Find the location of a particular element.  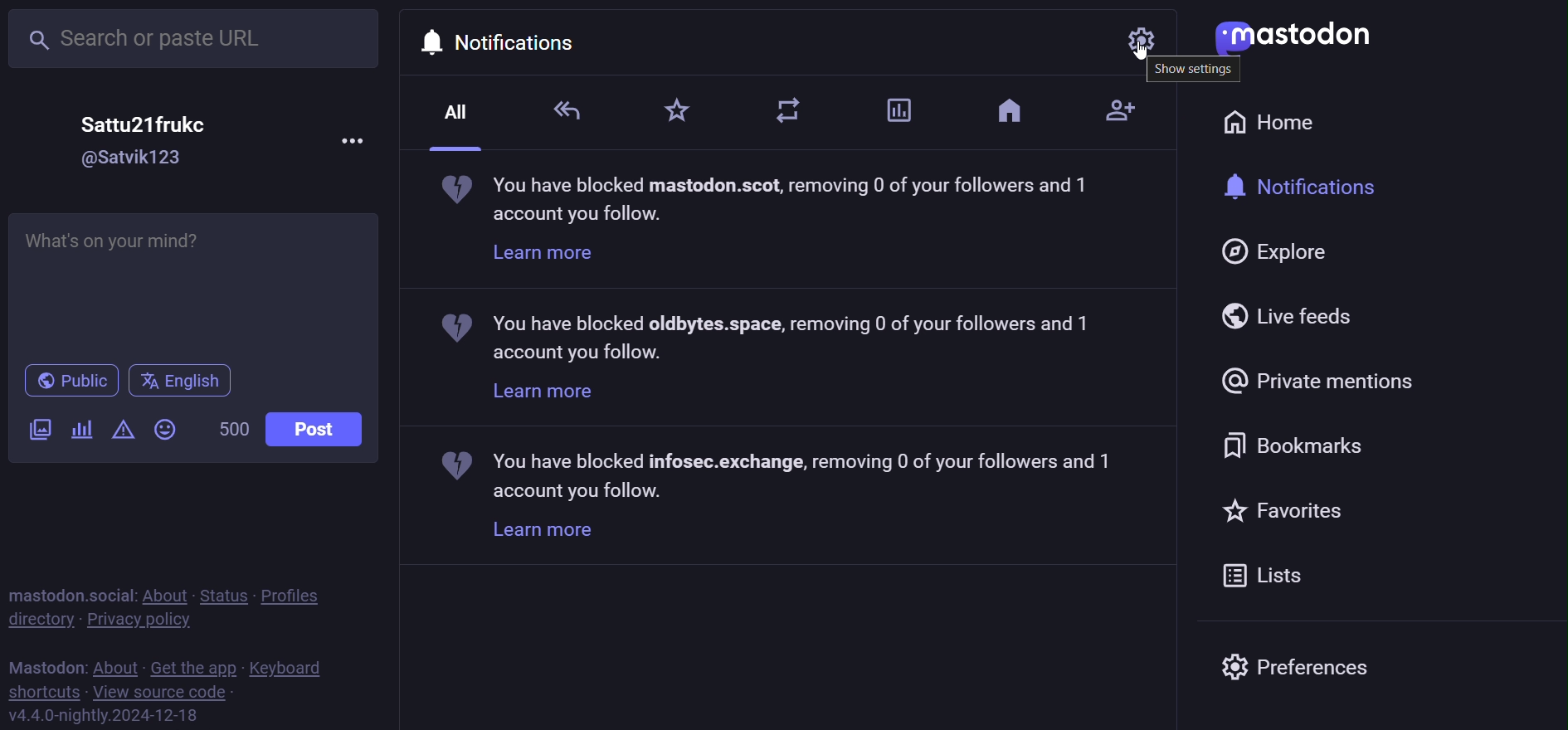

all is located at coordinates (460, 114).